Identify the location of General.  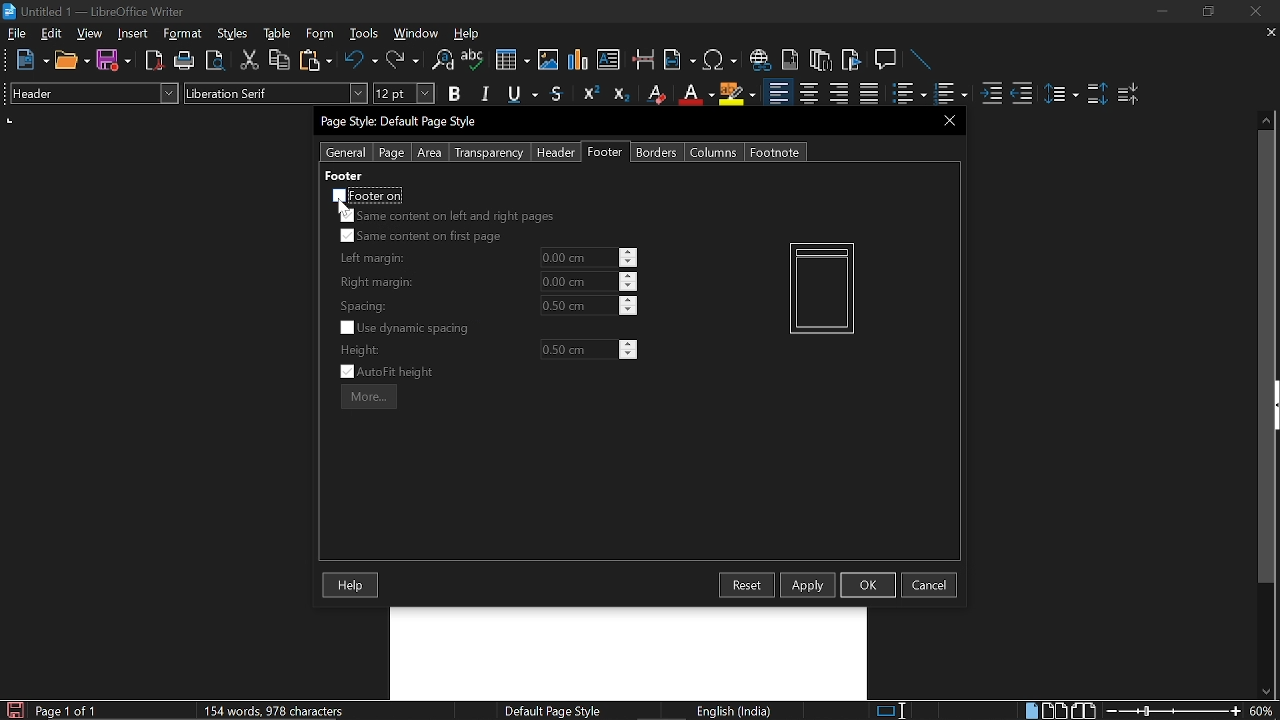
(347, 152).